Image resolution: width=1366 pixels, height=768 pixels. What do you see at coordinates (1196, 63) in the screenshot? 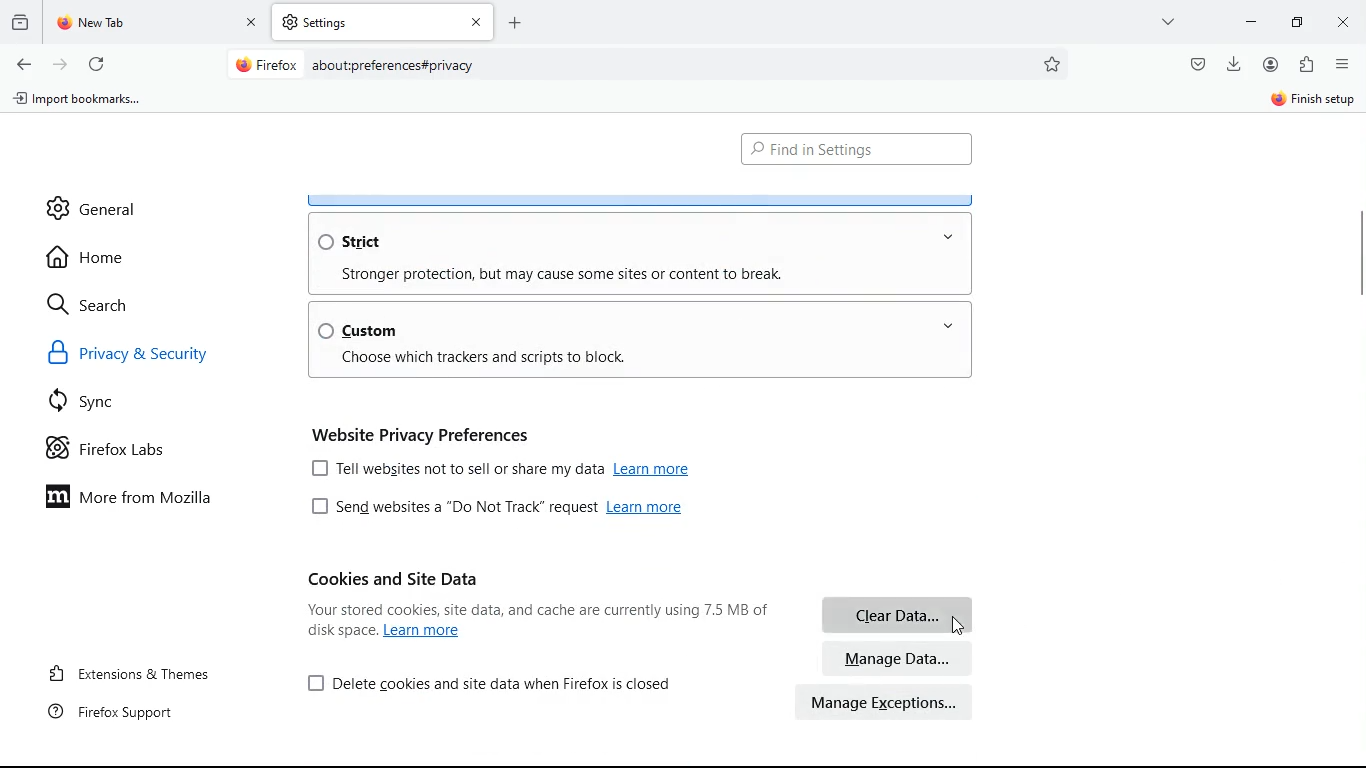
I see `pocket` at bounding box center [1196, 63].